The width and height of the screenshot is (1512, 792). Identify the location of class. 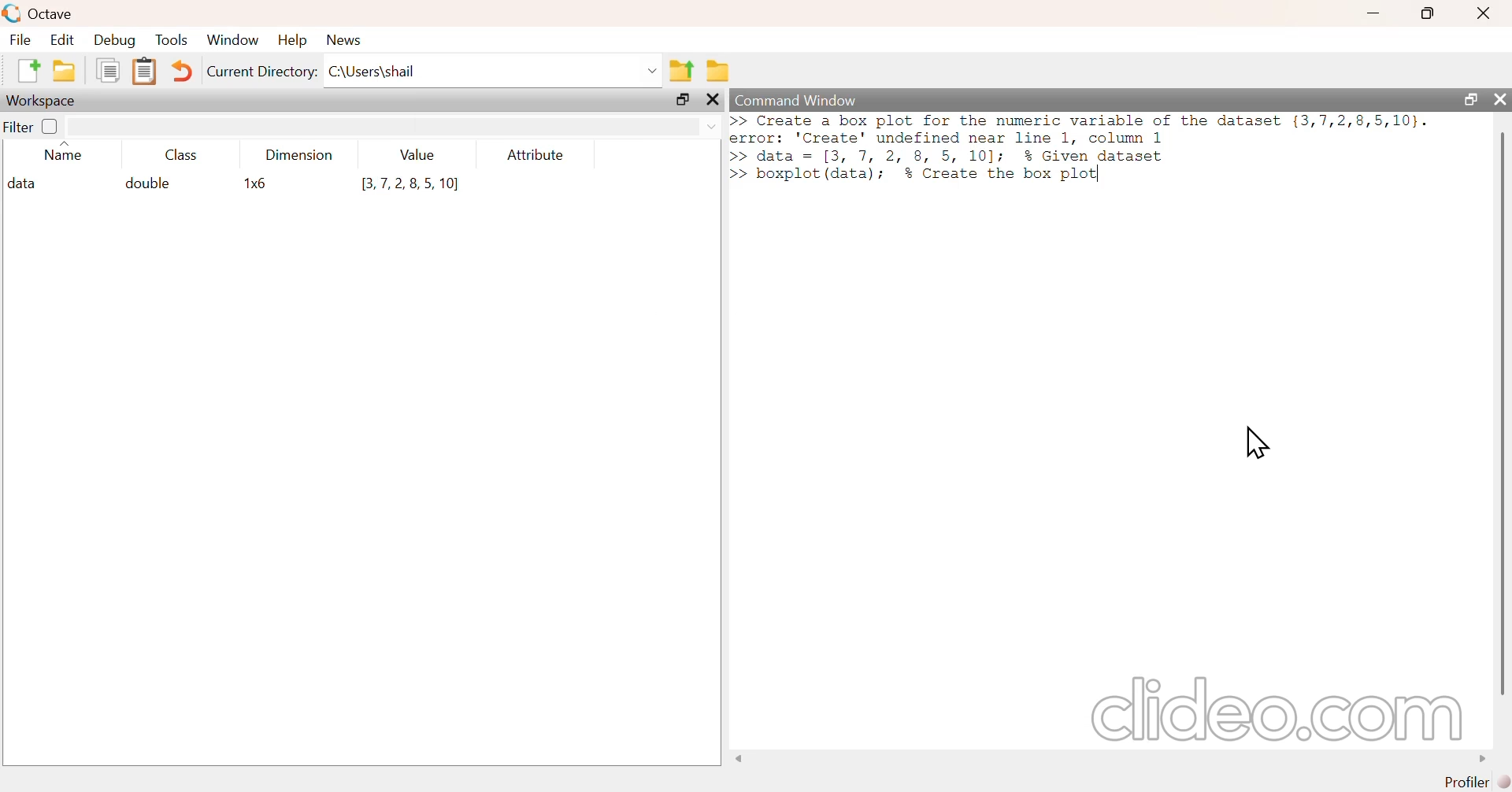
(182, 155).